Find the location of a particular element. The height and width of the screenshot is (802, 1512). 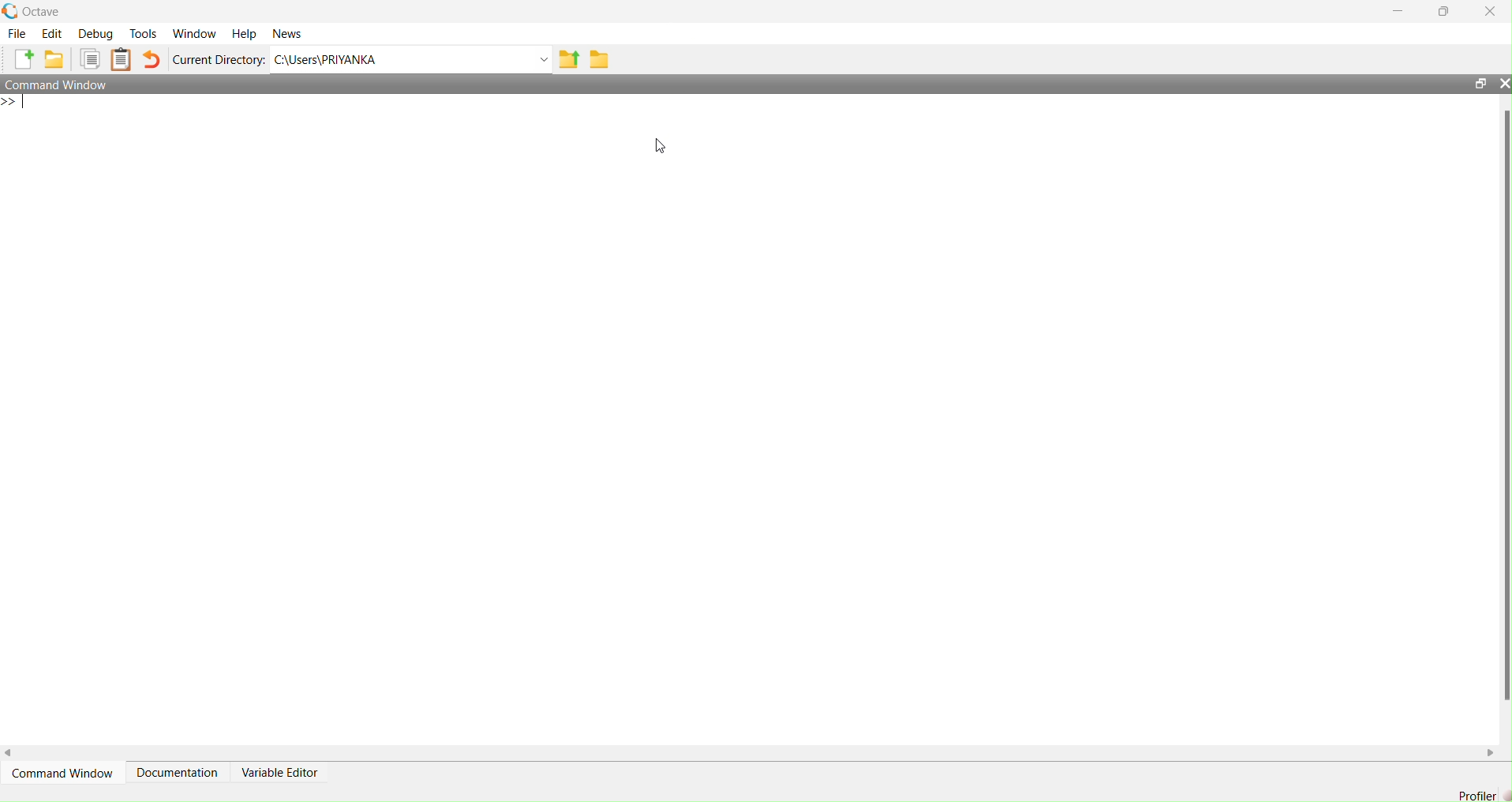

notes is located at coordinates (121, 58).